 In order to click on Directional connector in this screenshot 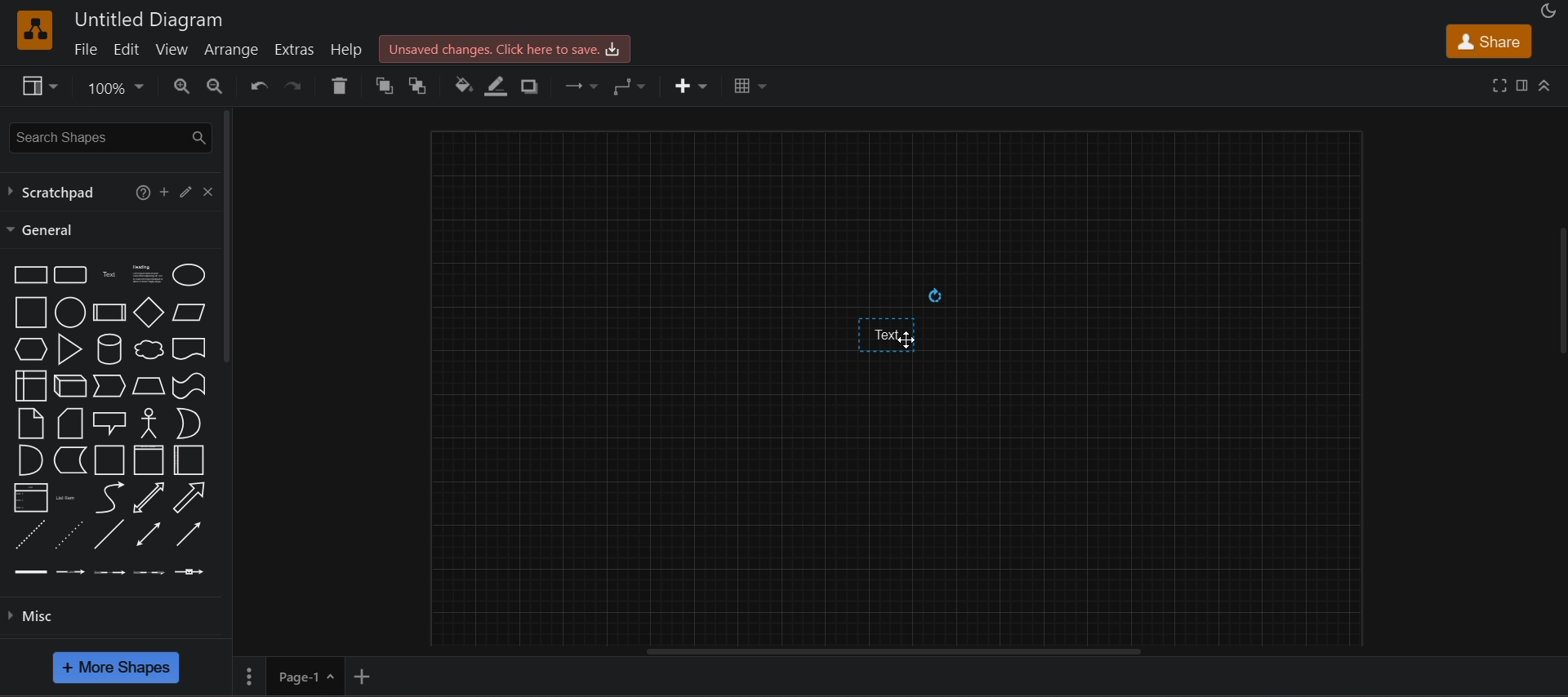, I will do `click(189, 535)`.